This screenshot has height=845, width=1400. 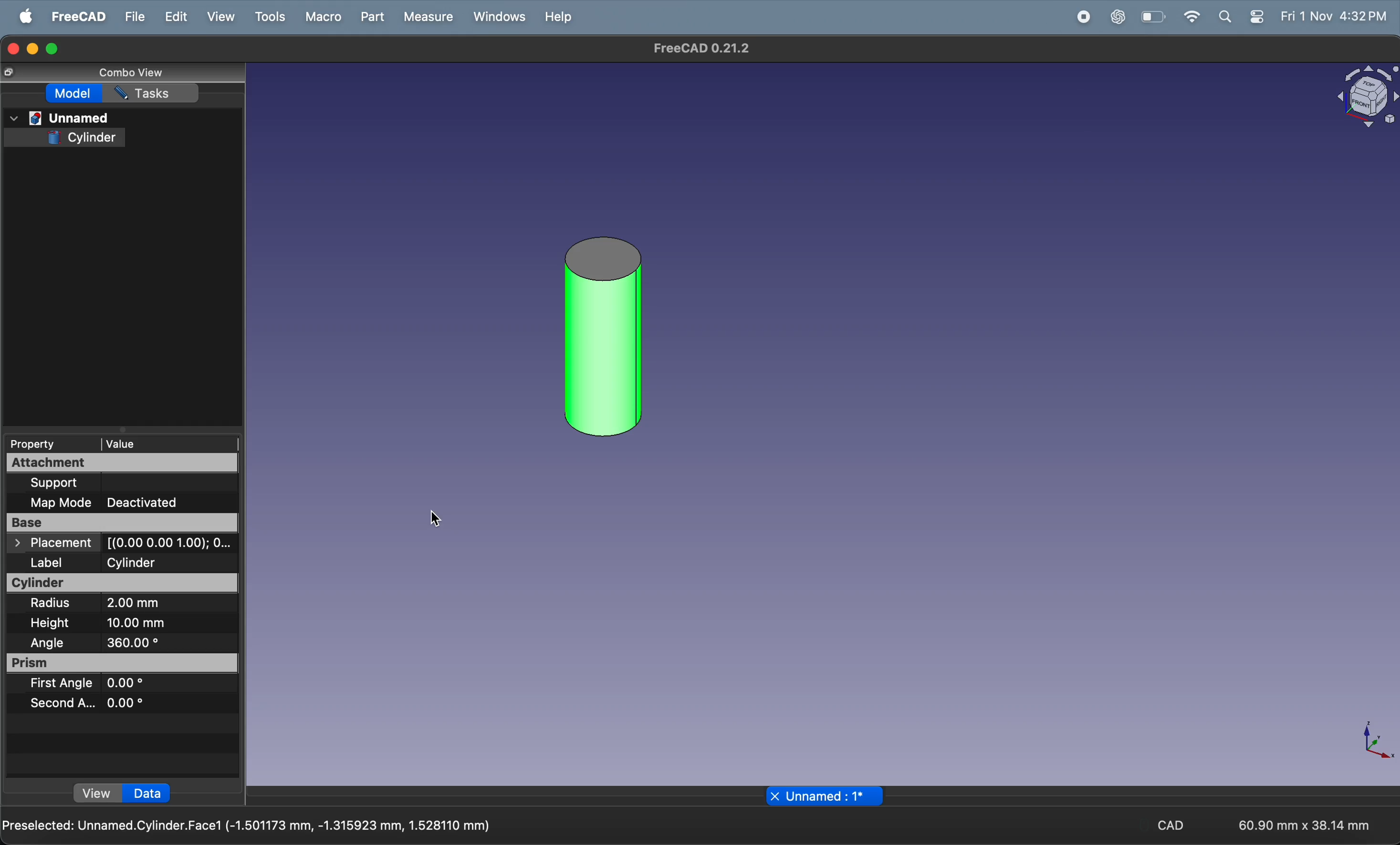 What do you see at coordinates (82, 138) in the screenshot?
I see `cylinder` at bounding box center [82, 138].